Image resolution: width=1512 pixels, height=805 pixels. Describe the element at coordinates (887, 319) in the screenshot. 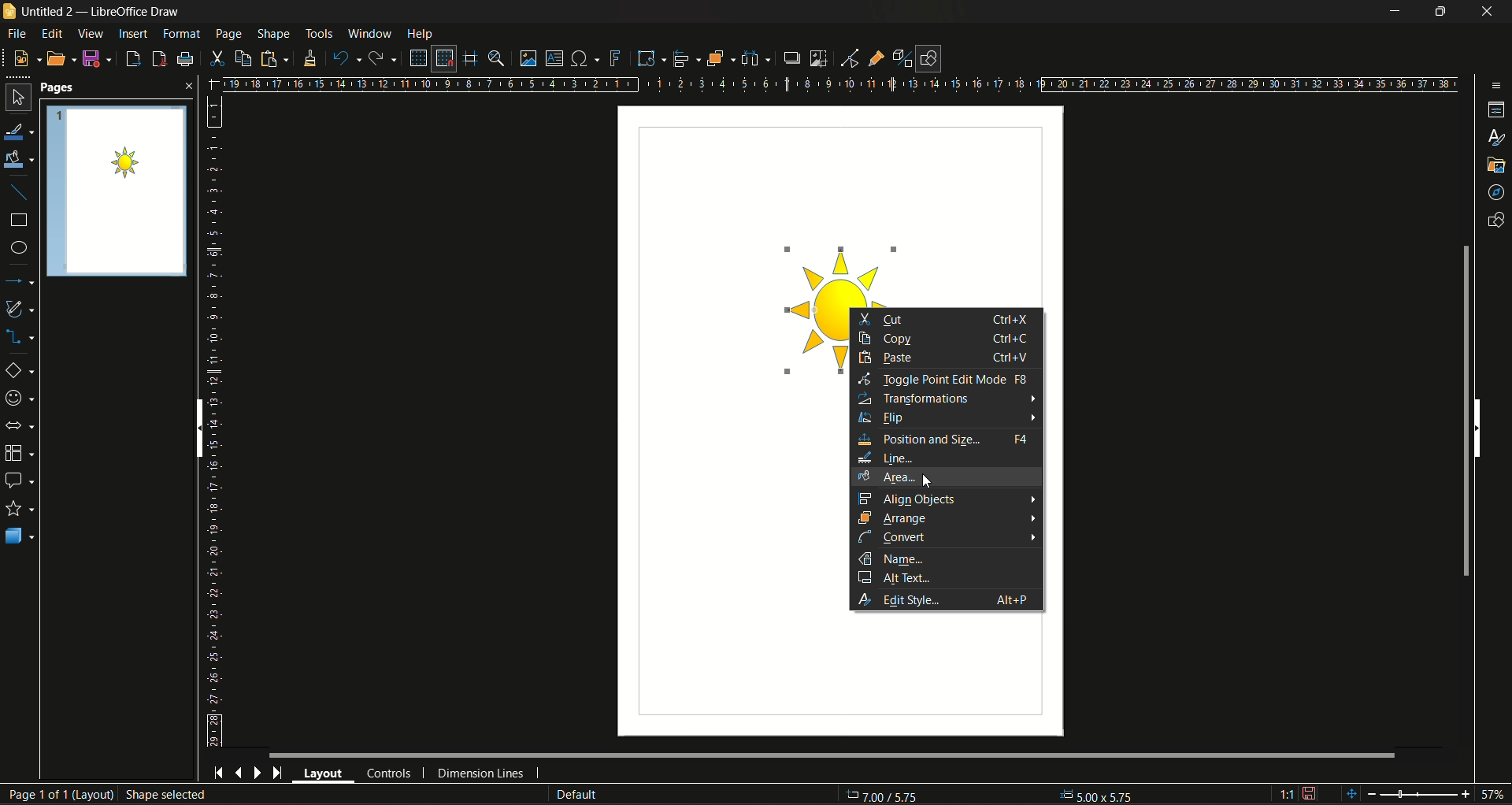

I see `cut` at that location.